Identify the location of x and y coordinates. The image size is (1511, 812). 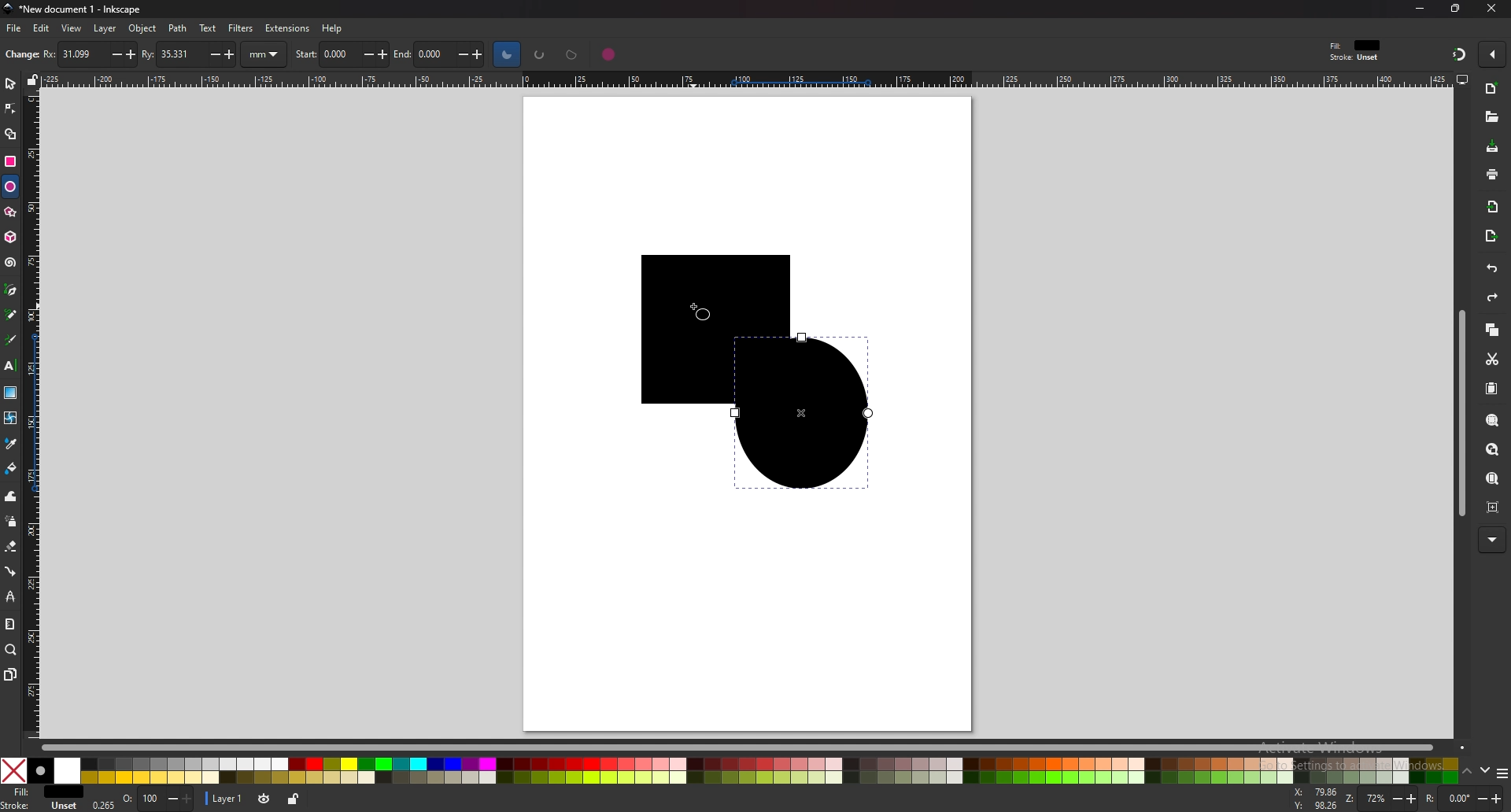
(1313, 799).